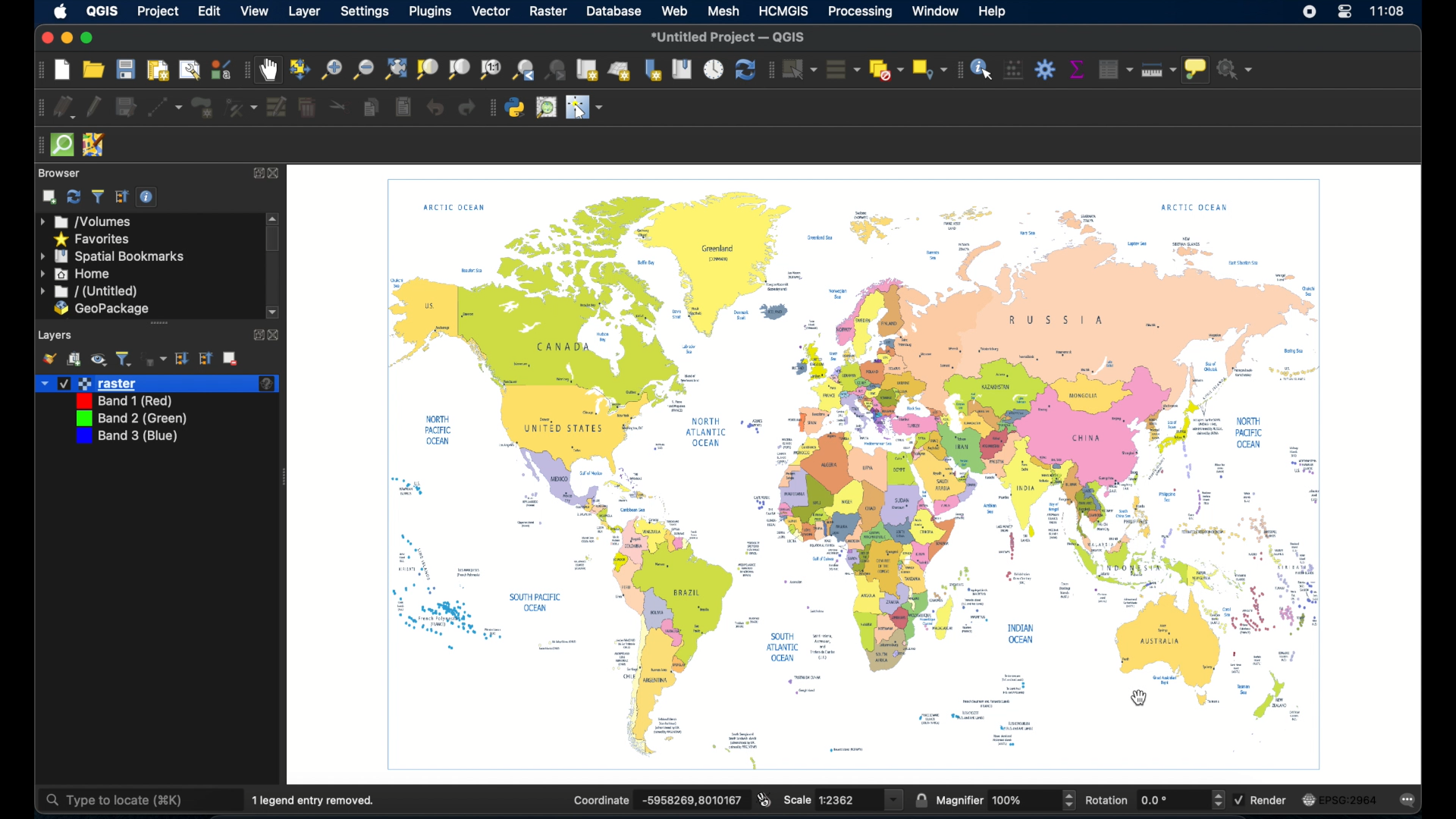  What do you see at coordinates (247, 70) in the screenshot?
I see `map navigation toolbar` at bounding box center [247, 70].